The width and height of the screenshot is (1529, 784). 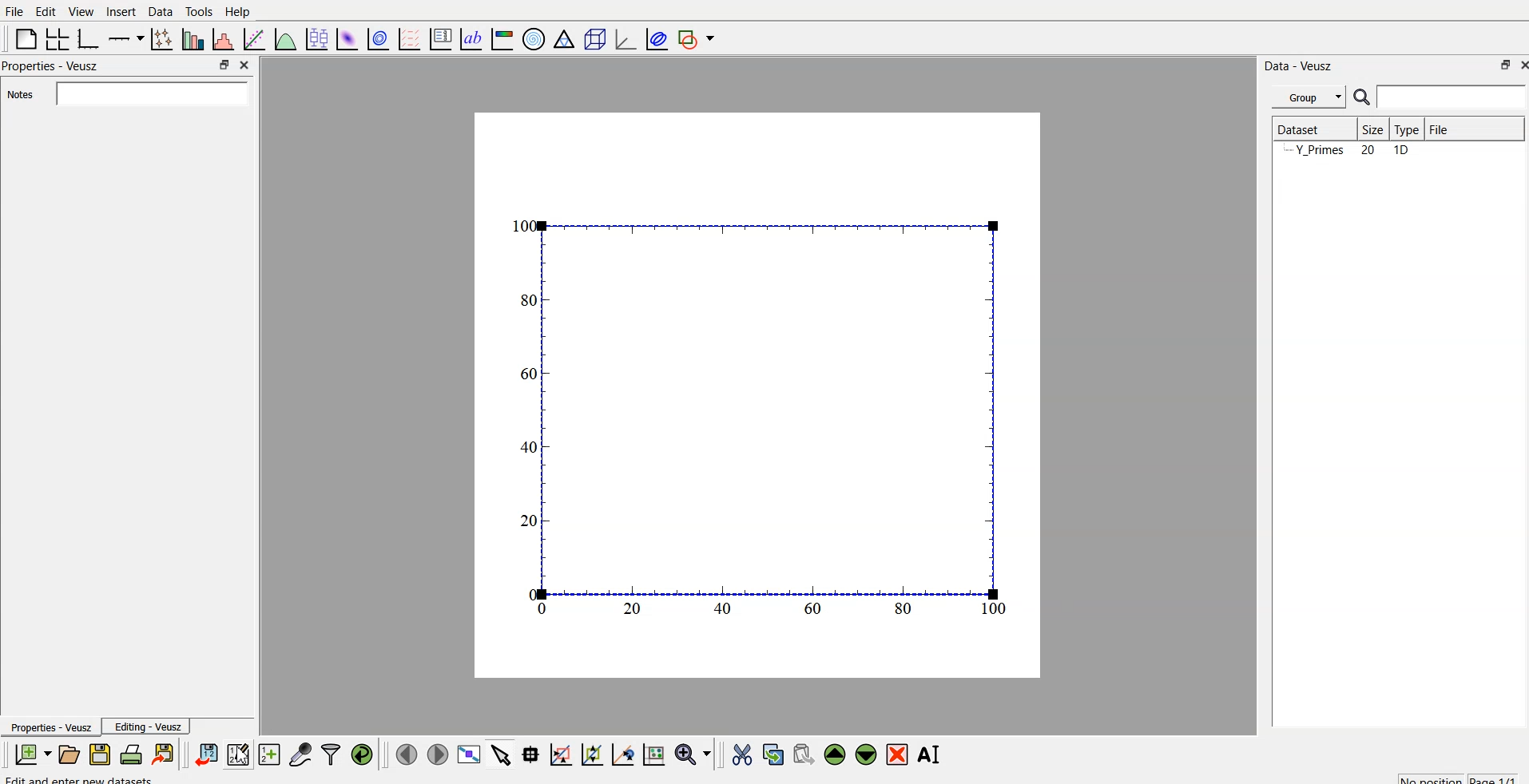 I want to click on | Size, so click(x=1369, y=129).